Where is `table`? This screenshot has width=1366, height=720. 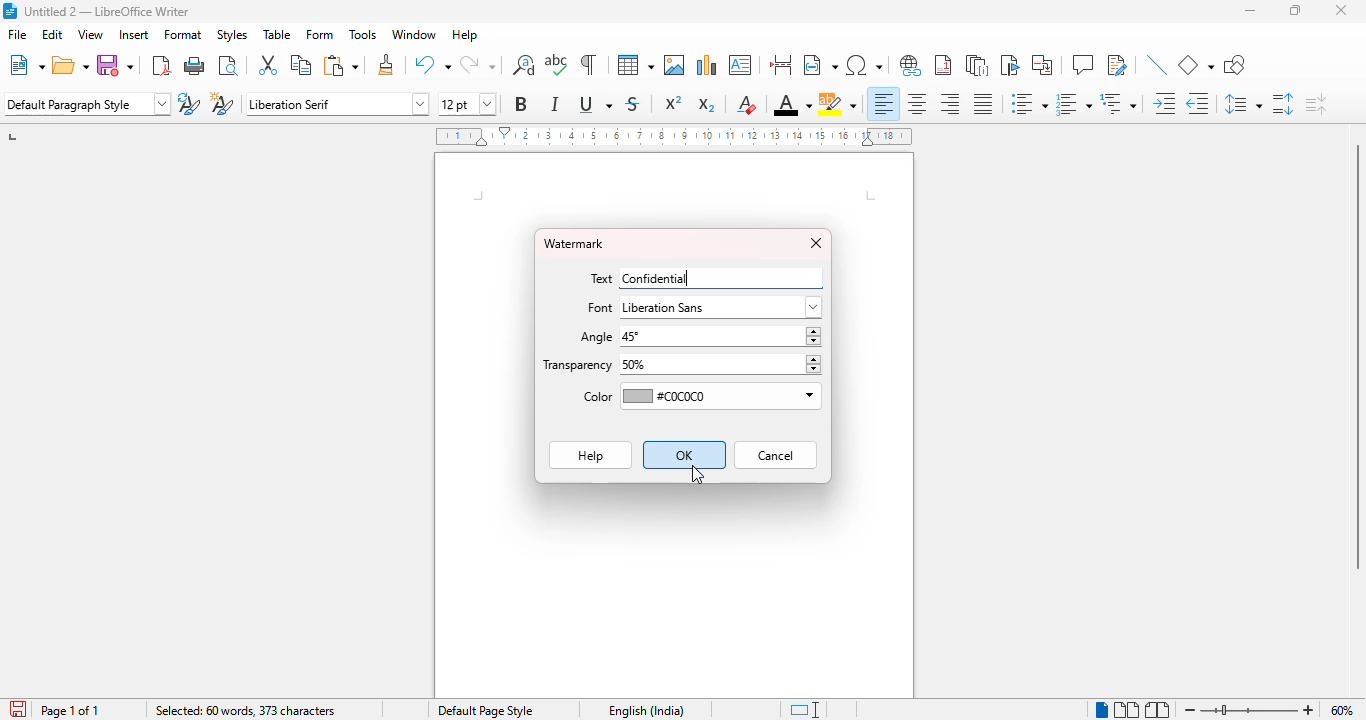
table is located at coordinates (277, 34).